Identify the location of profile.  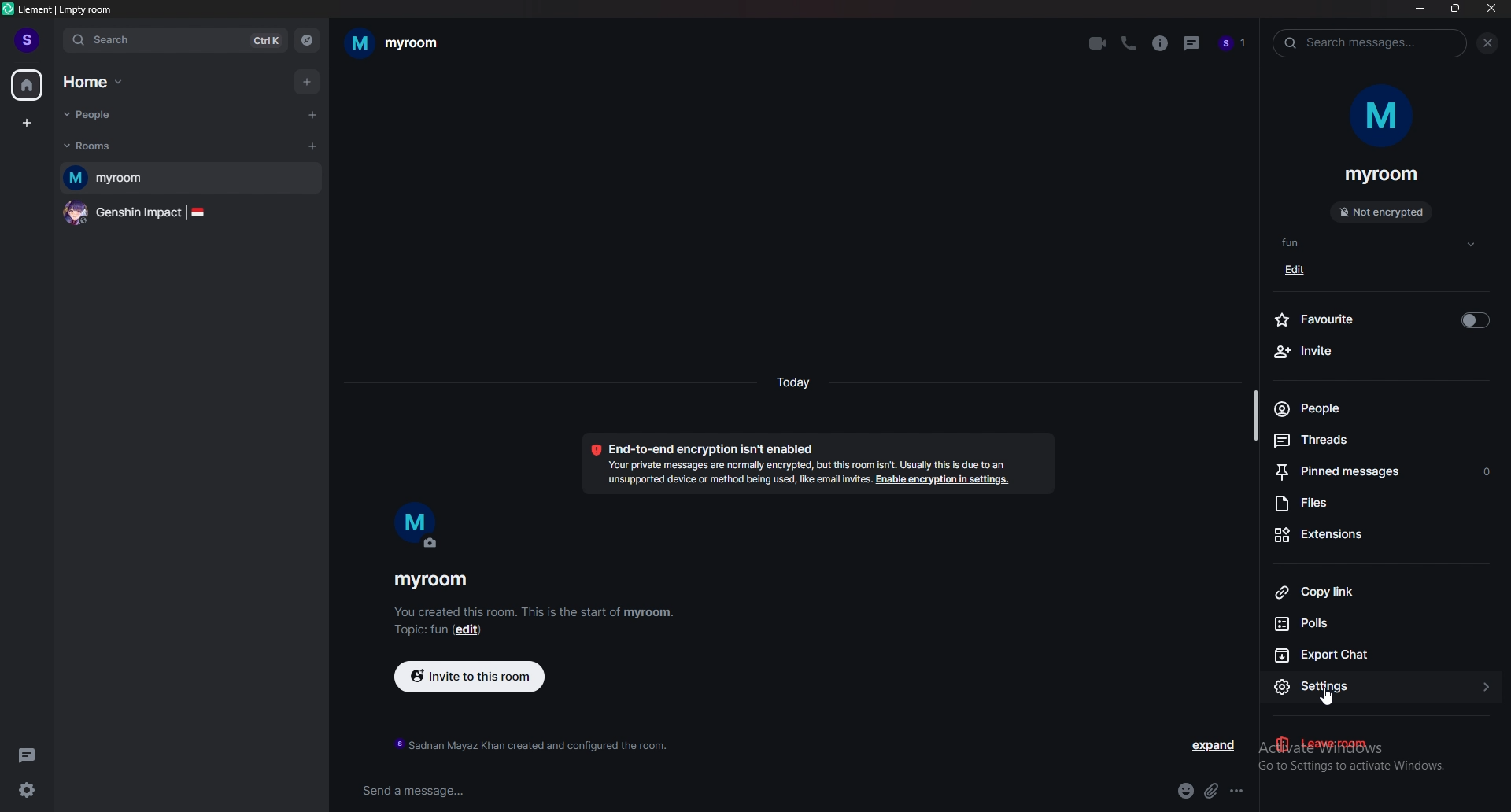
(23, 35).